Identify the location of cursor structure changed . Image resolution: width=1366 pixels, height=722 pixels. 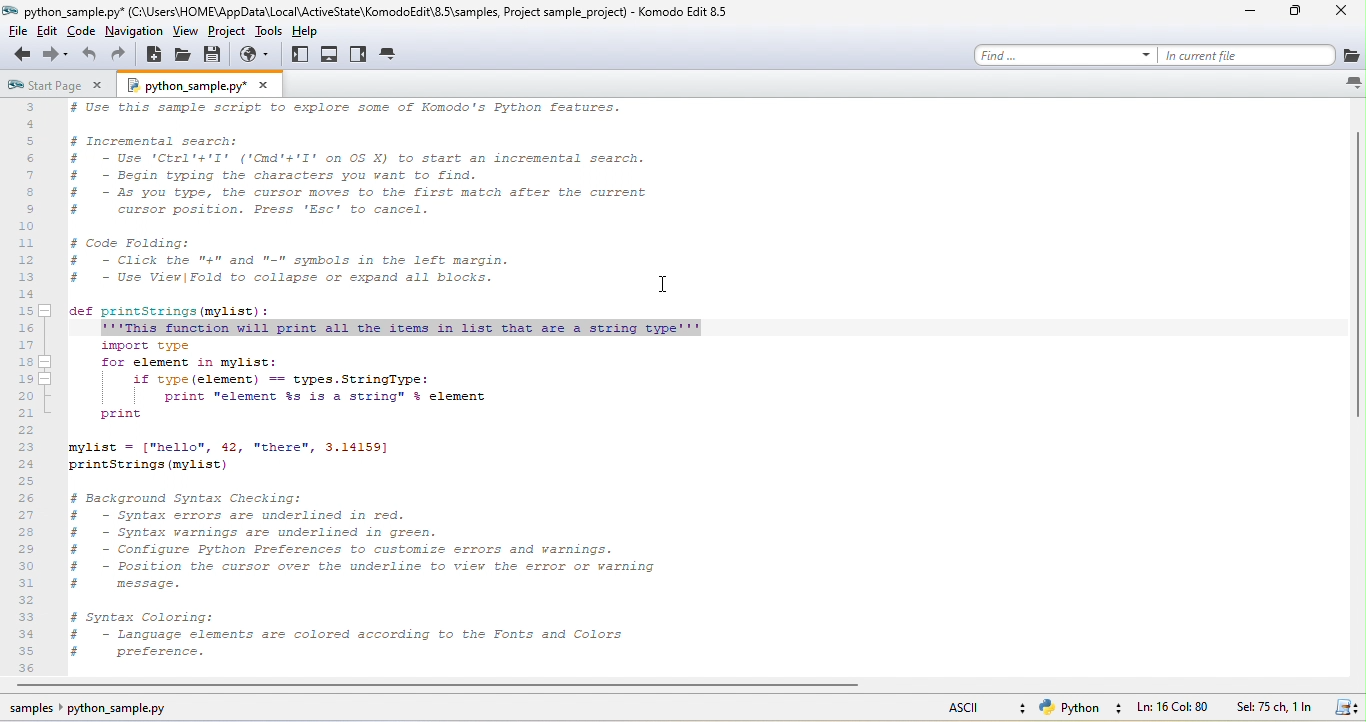
(660, 284).